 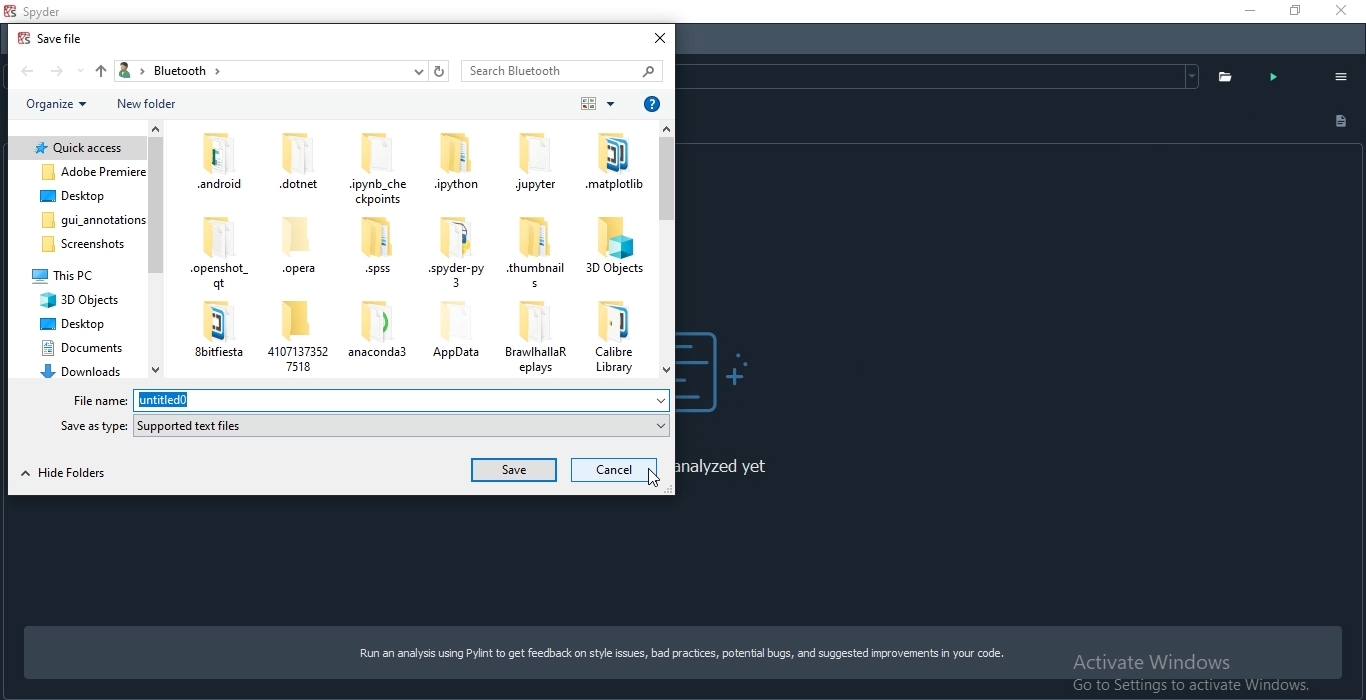 What do you see at coordinates (1291, 12) in the screenshot?
I see `Restore` at bounding box center [1291, 12].